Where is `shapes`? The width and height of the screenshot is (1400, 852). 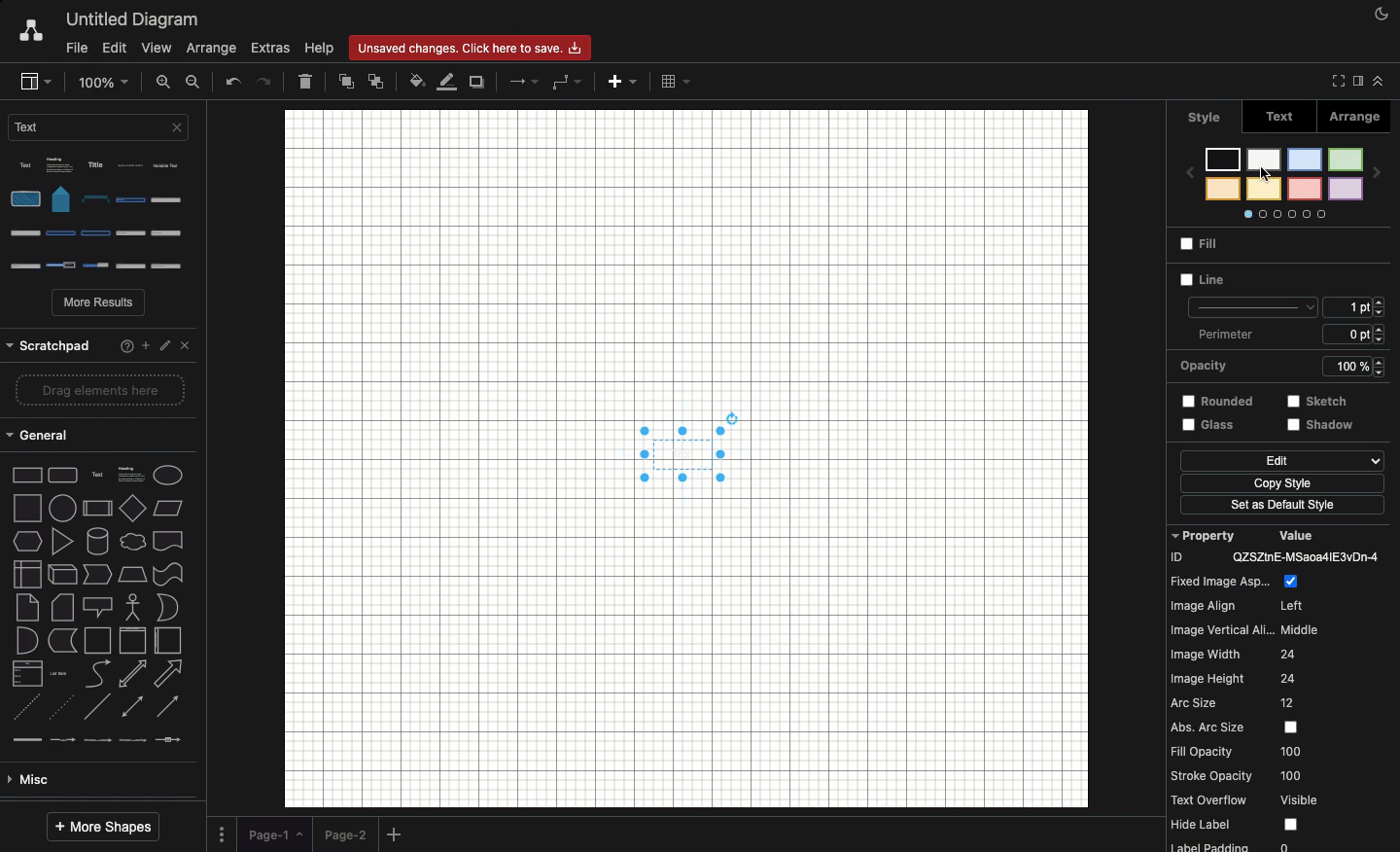
shapes is located at coordinates (104, 470).